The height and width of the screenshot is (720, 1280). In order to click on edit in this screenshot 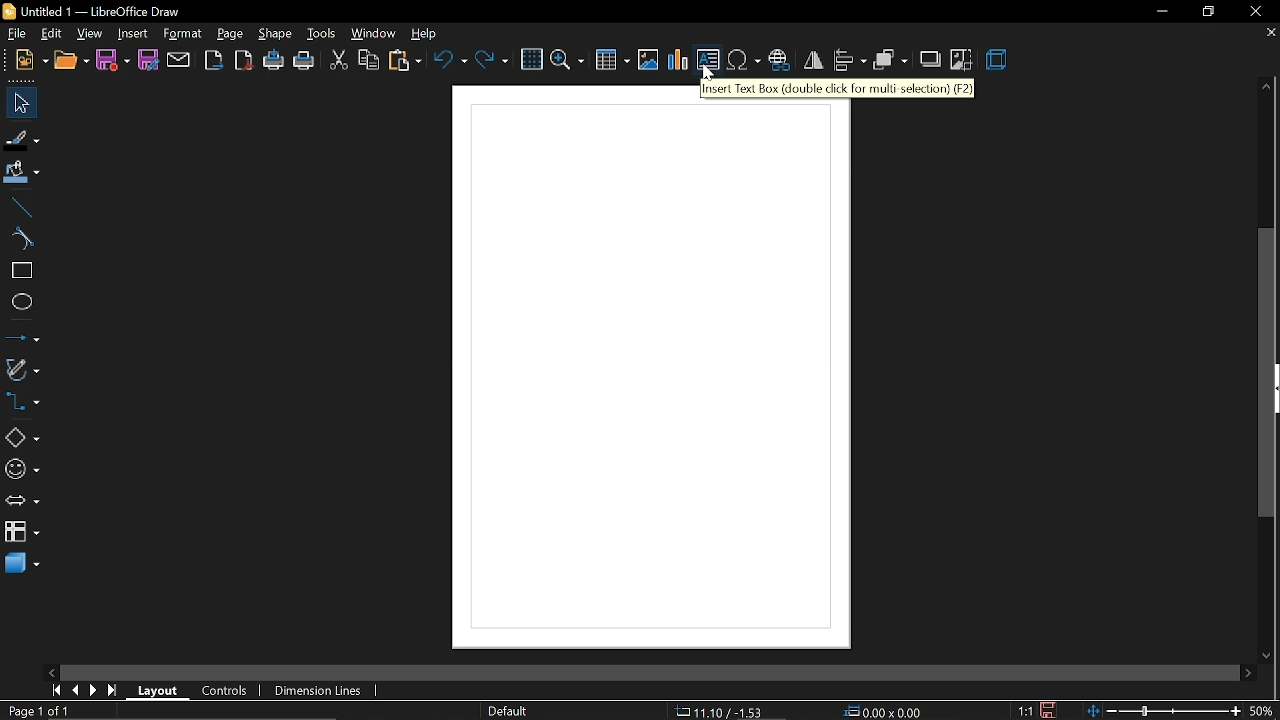, I will do `click(53, 35)`.